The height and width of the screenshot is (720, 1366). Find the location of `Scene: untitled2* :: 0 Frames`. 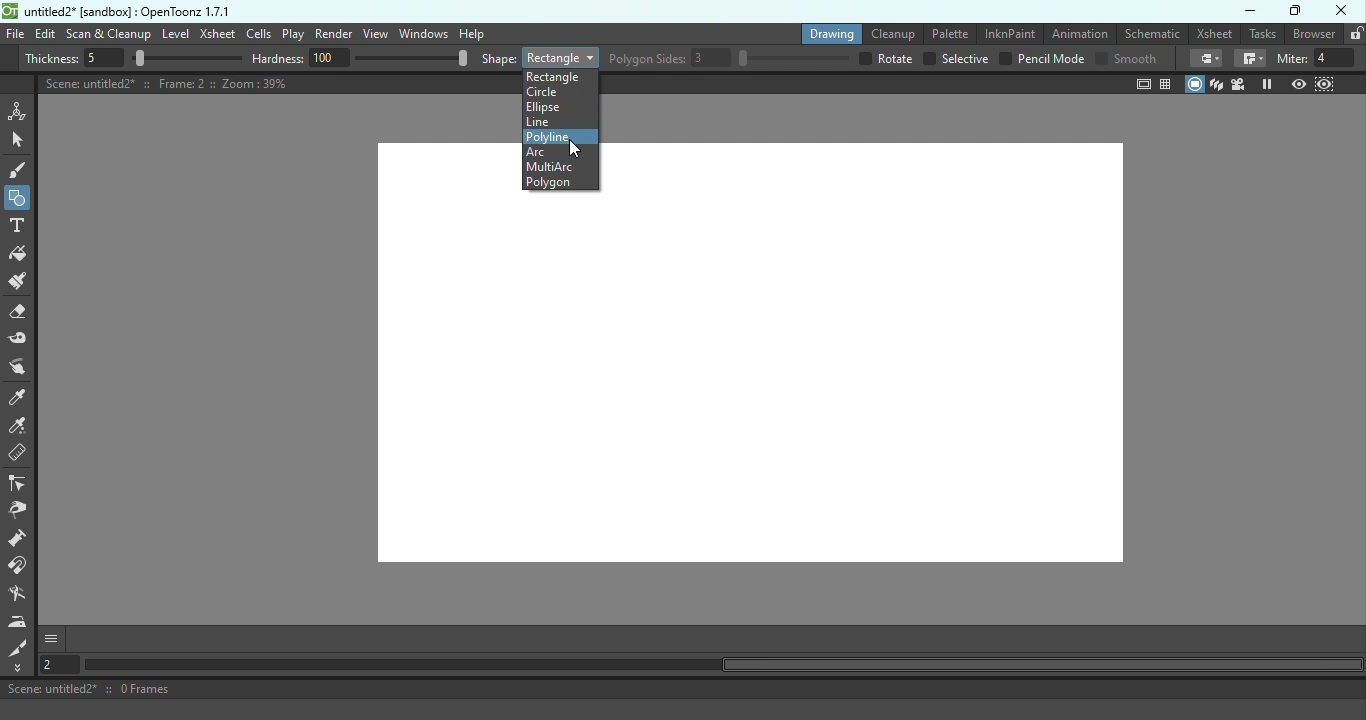

Scene: untitled2* :: 0 Frames is located at coordinates (683, 689).